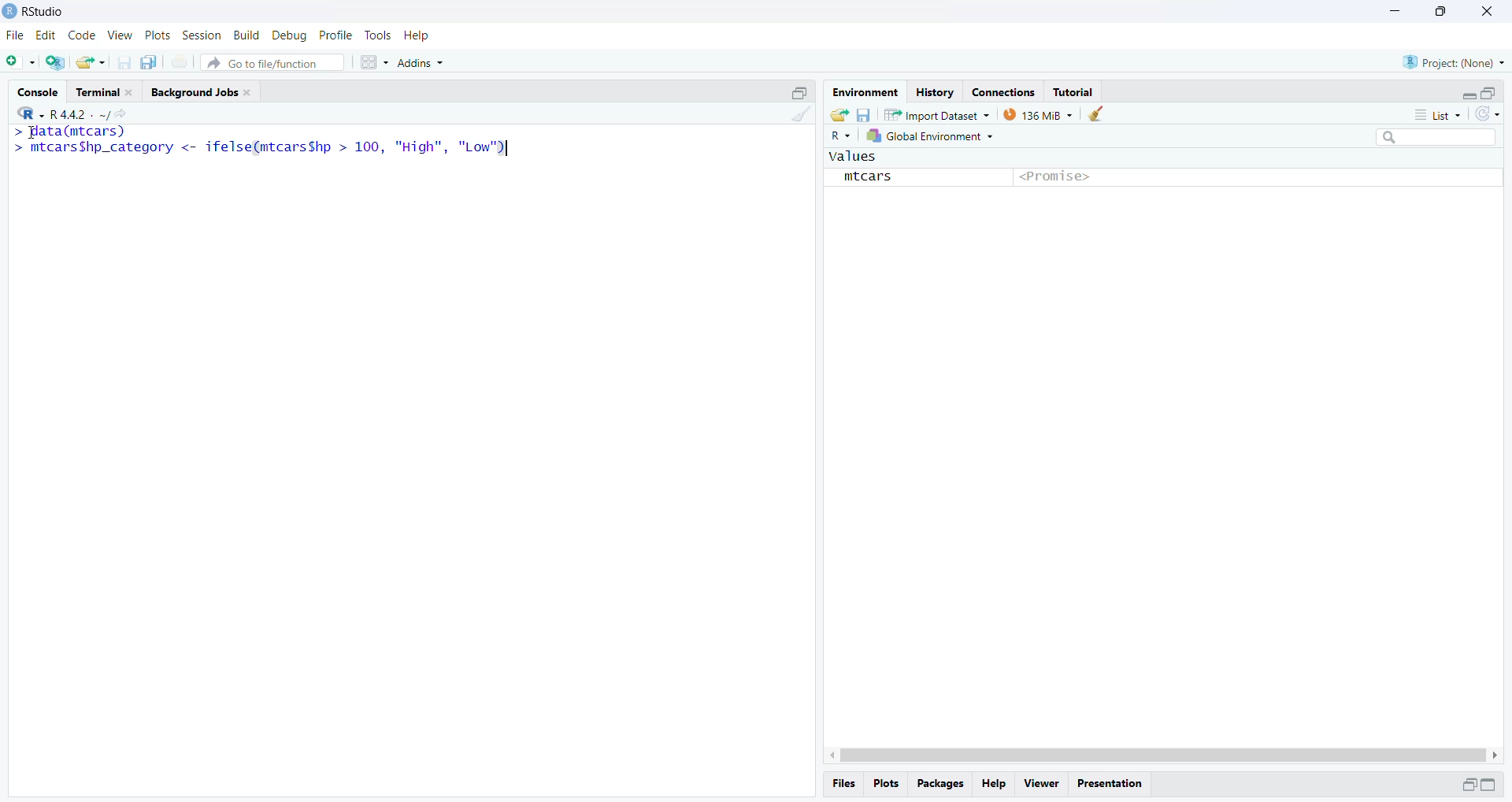  What do you see at coordinates (1465, 93) in the screenshot?
I see `Minimize` at bounding box center [1465, 93].